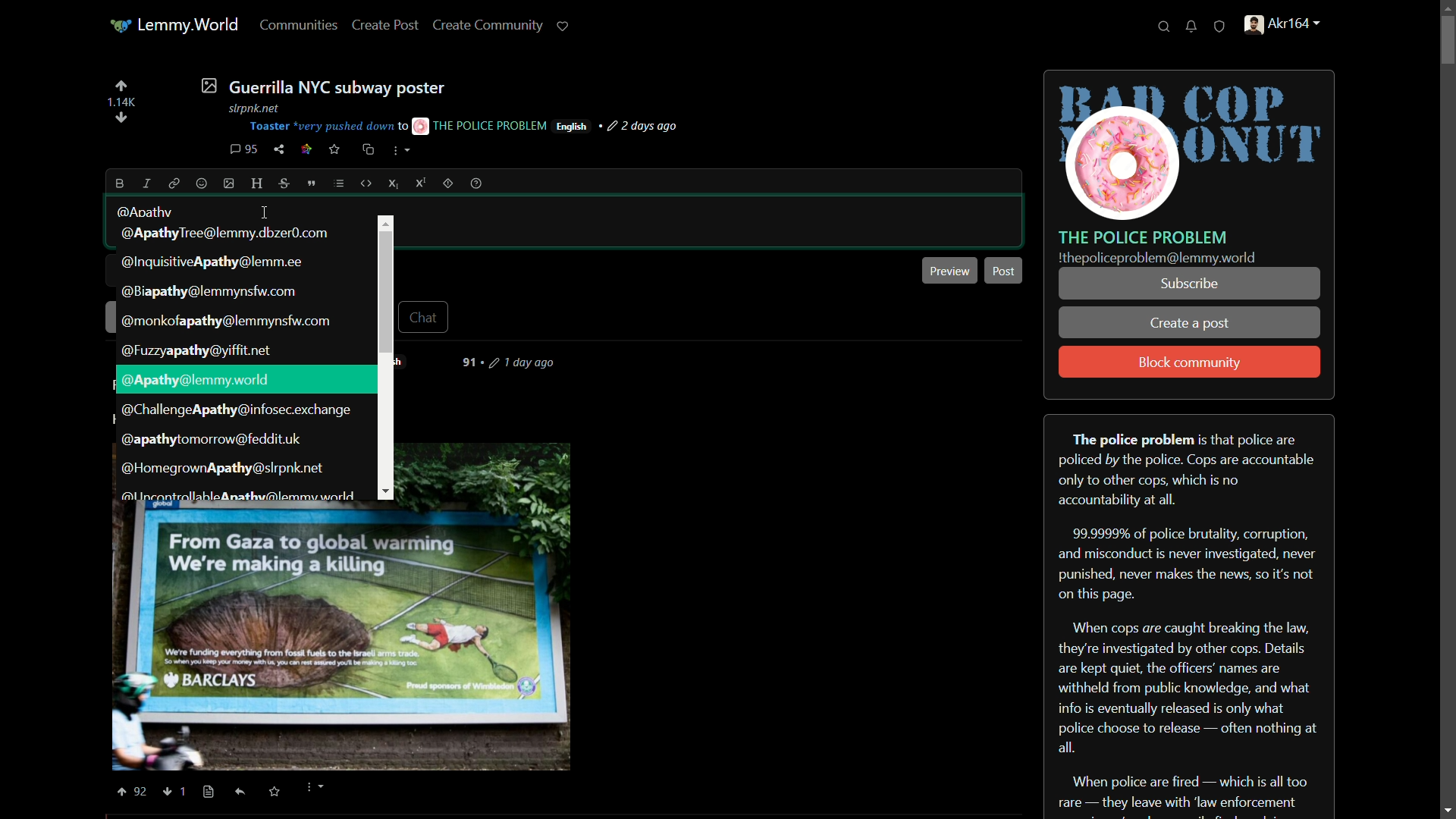 The height and width of the screenshot is (819, 1456). I want to click on strikethrough, so click(286, 184).